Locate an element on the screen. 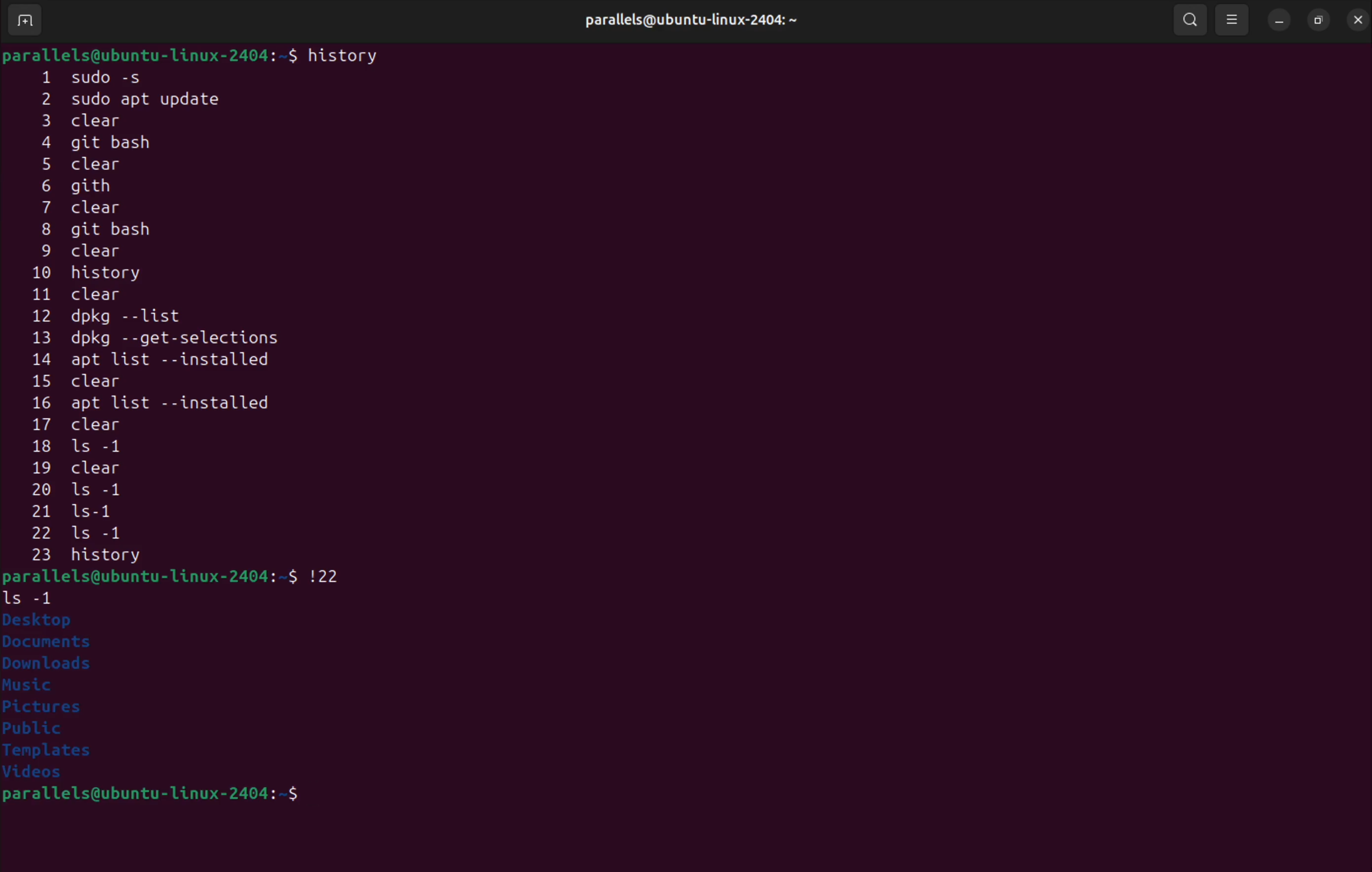 The width and height of the screenshot is (1372, 872). videos is located at coordinates (43, 774).